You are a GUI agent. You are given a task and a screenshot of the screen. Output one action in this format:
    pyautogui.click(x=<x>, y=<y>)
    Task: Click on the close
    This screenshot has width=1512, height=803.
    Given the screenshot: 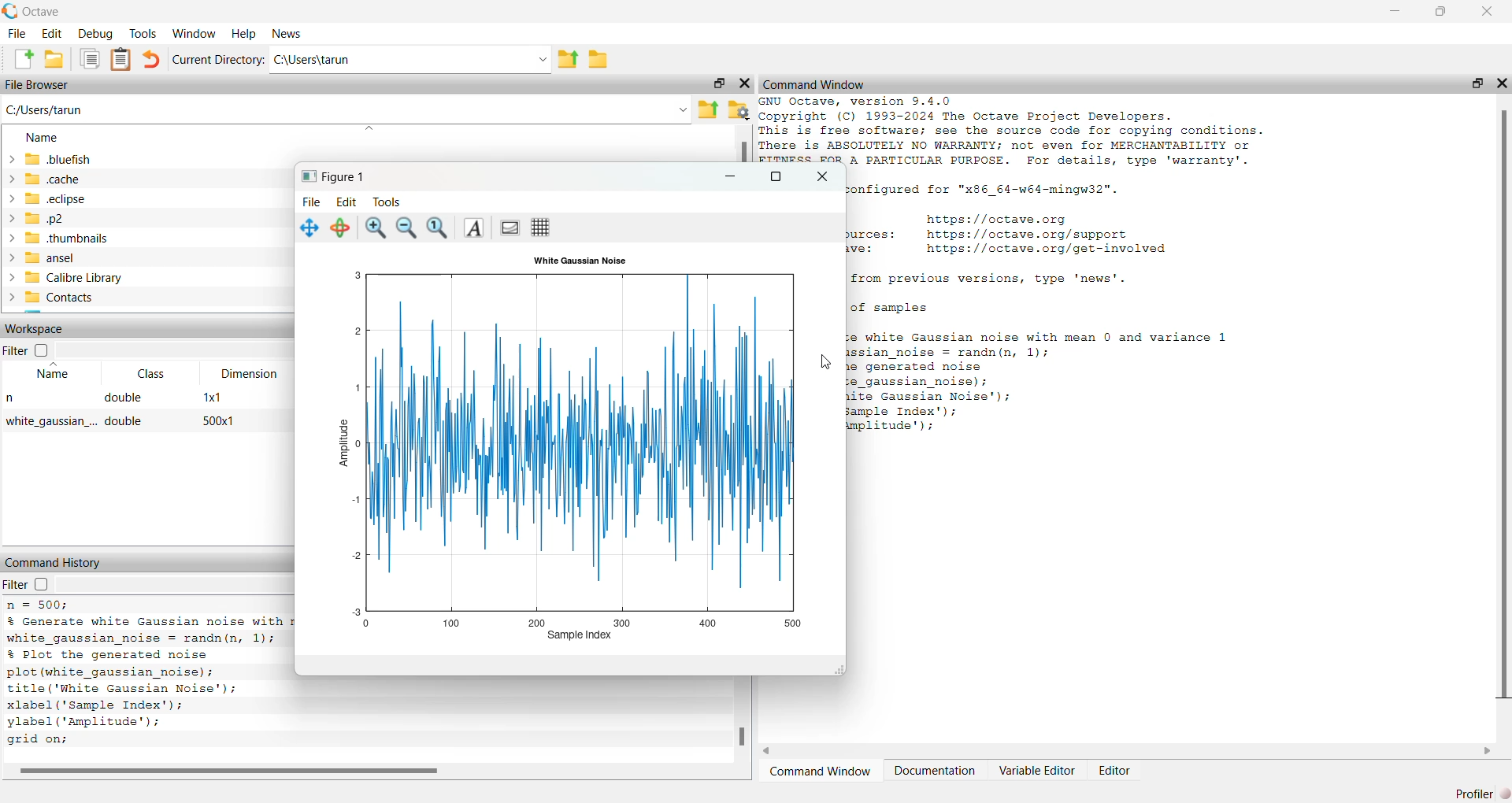 What is the action you would take?
    pyautogui.click(x=1502, y=83)
    